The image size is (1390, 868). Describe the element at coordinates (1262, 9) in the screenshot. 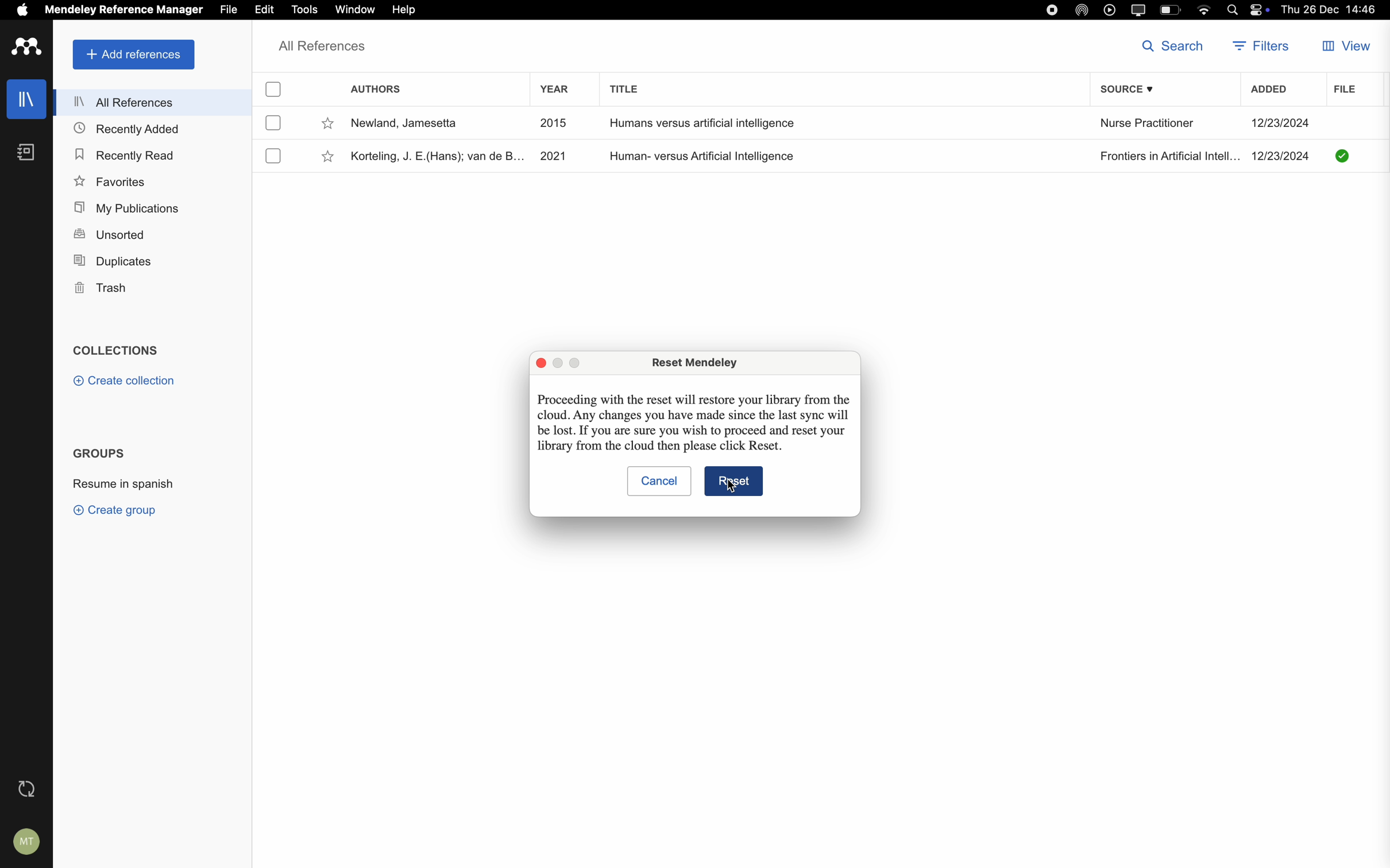

I see `controls` at that location.